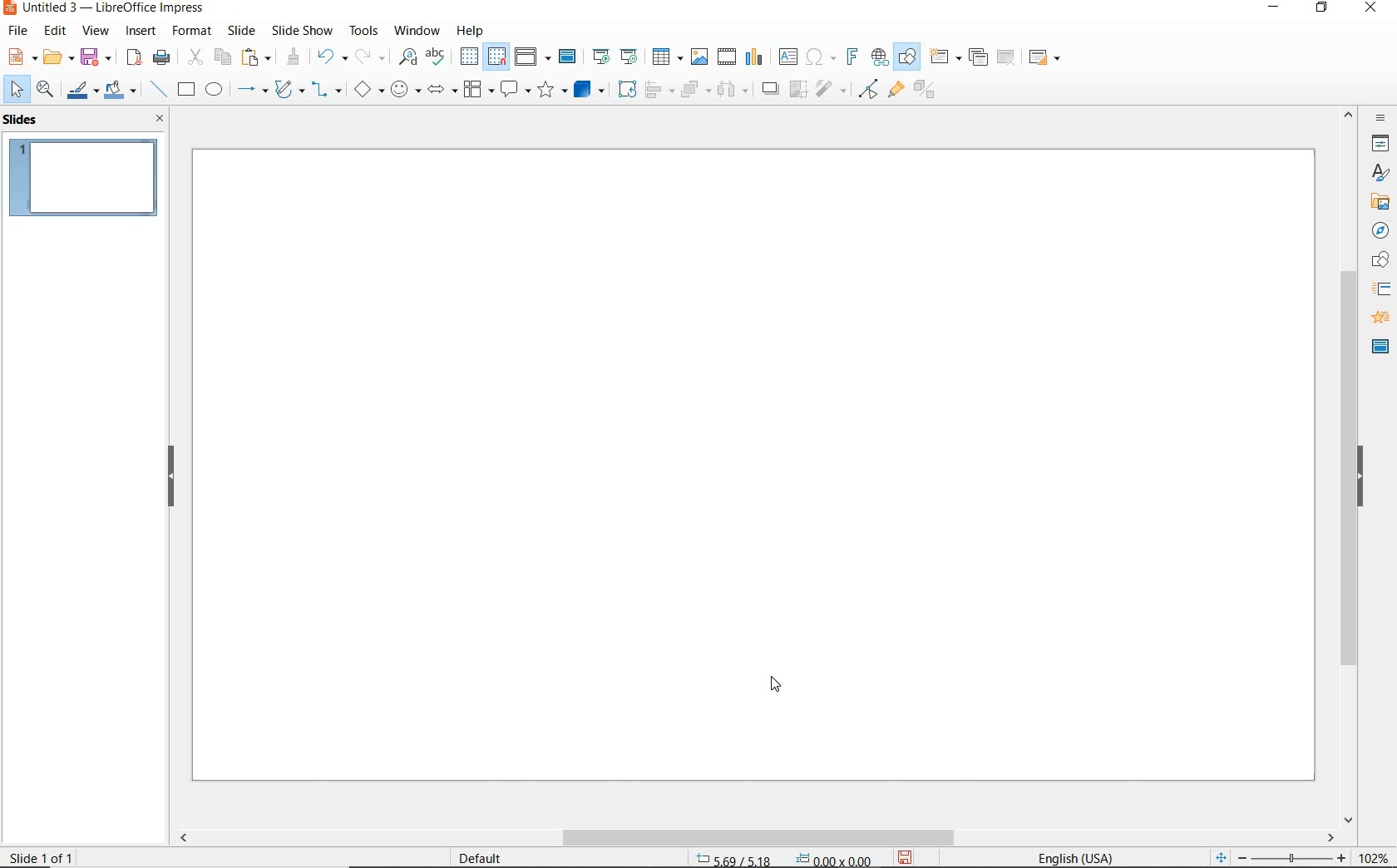 This screenshot has width=1397, height=868. Describe the element at coordinates (878, 56) in the screenshot. I see `INSERT HYPERLINK` at that location.